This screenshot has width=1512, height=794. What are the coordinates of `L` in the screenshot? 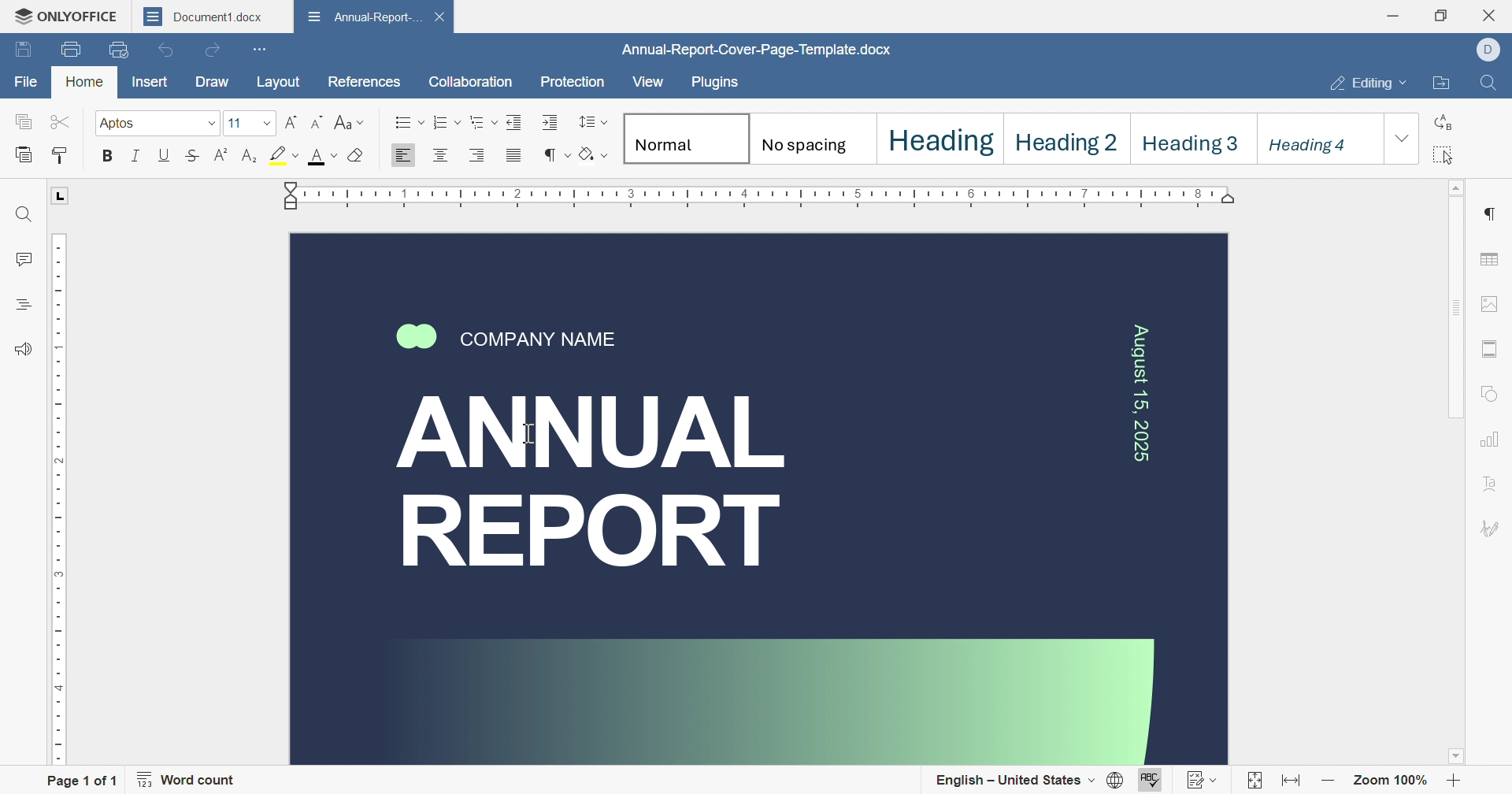 It's located at (60, 198).